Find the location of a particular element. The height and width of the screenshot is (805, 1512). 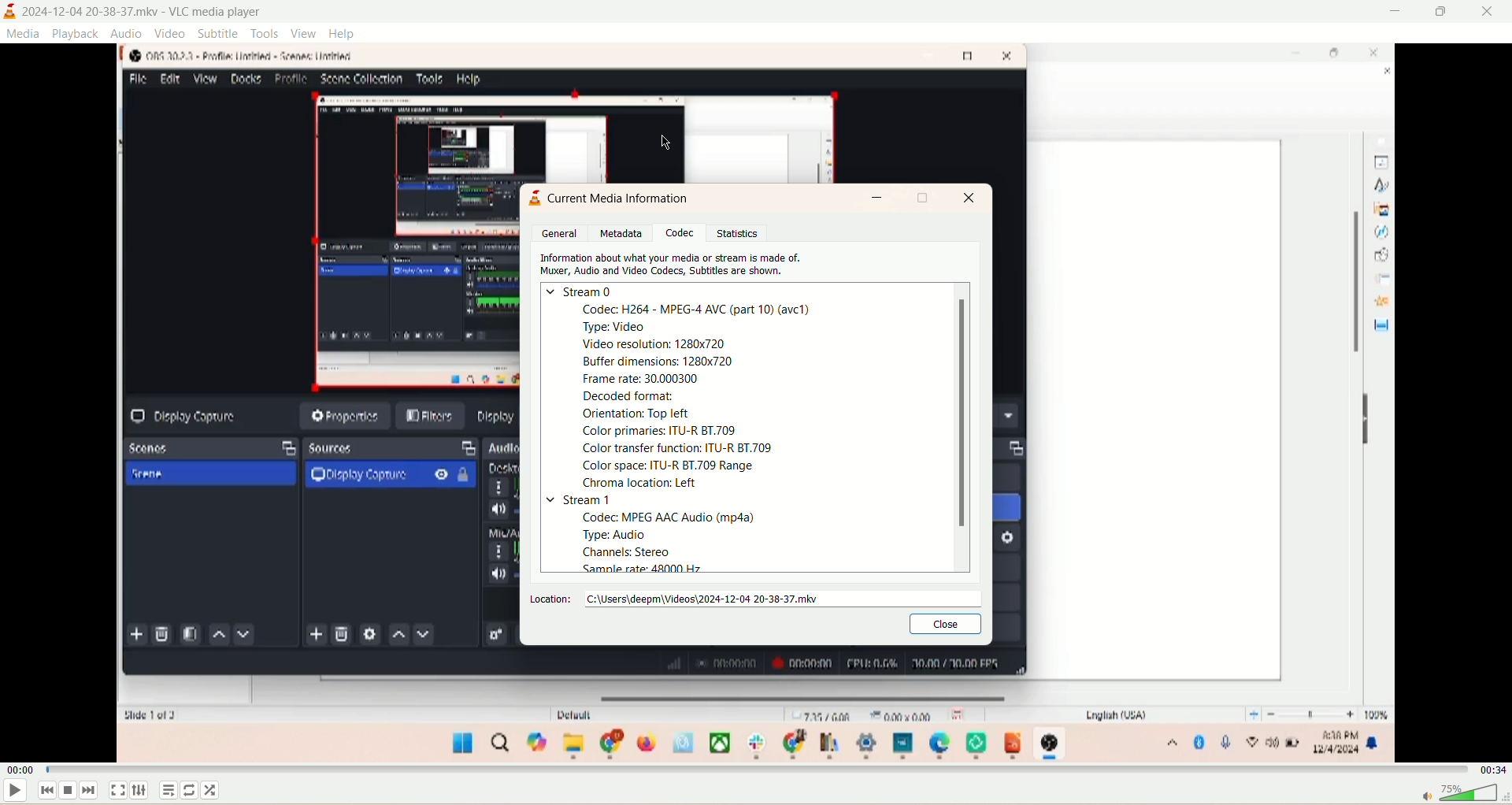

logo is located at coordinates (10, 10).